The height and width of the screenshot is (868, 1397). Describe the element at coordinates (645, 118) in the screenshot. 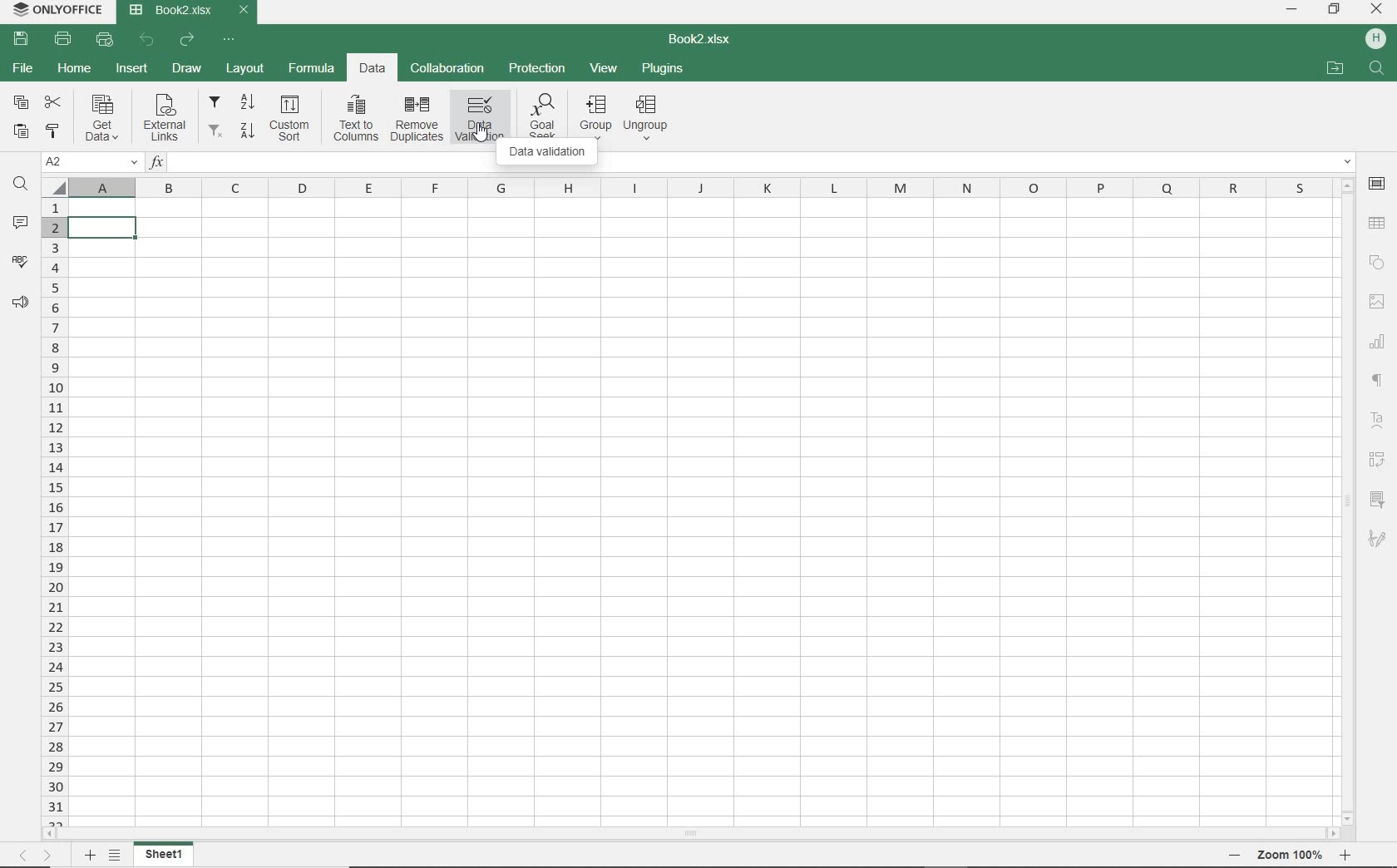

I see `ungroup` at that location.